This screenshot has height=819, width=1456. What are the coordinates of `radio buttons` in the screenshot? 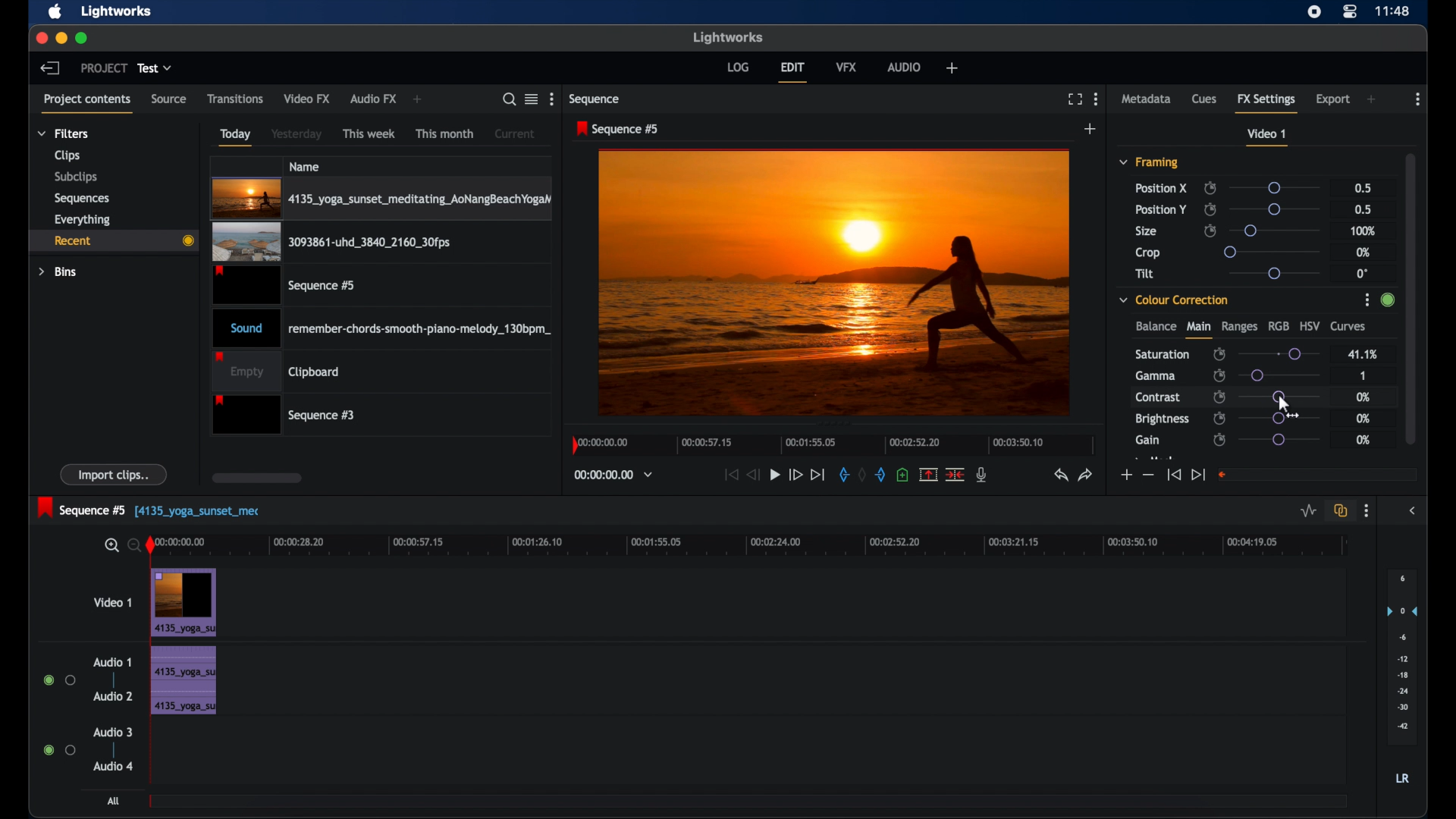 It's located at (60, 680).